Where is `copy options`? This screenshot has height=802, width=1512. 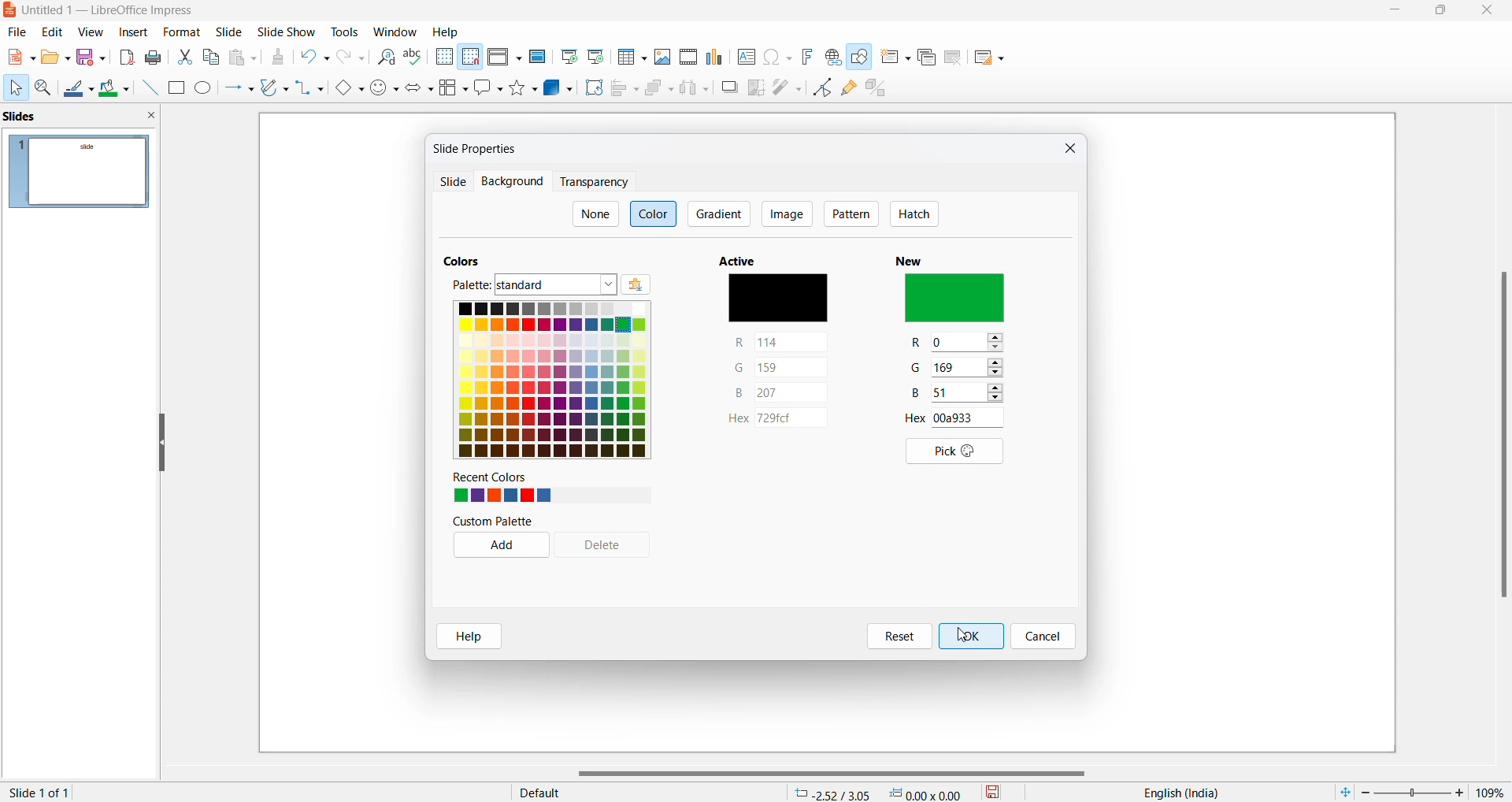
copy options is located at coordinates (212, 58).